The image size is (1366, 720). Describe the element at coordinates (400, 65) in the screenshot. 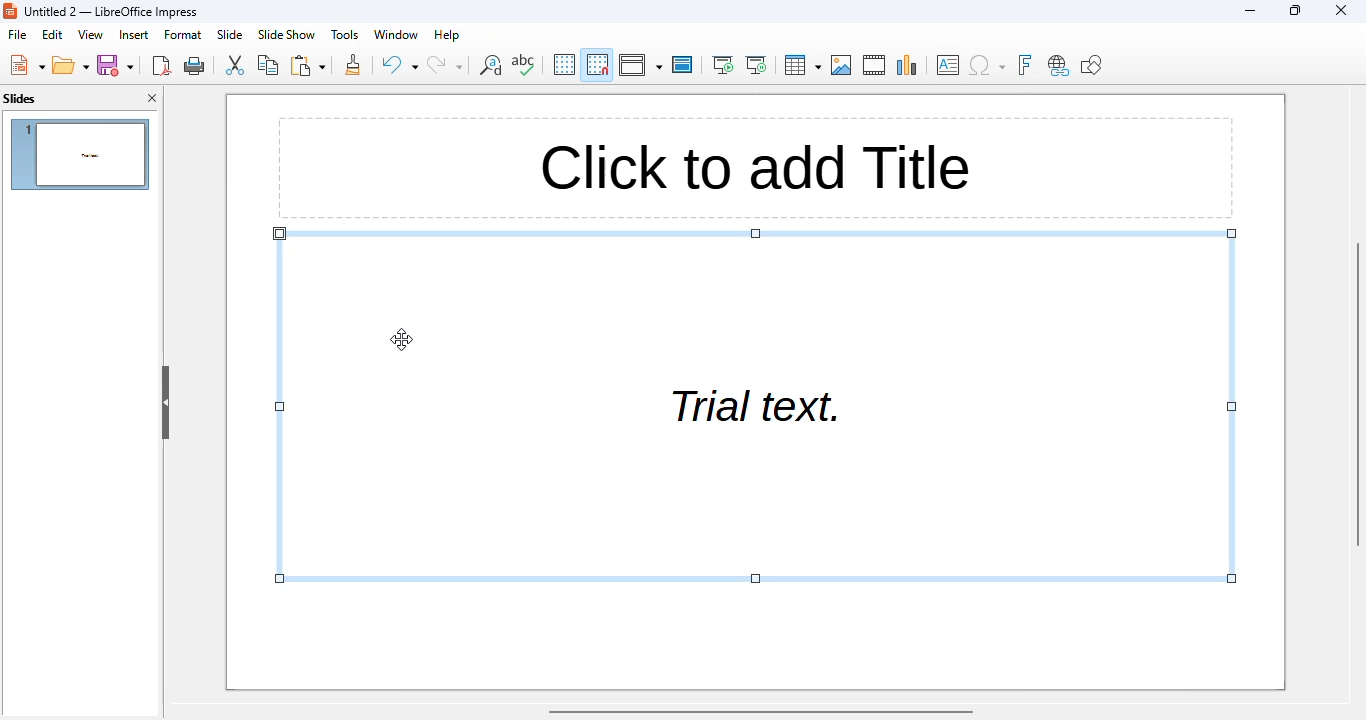

I see `undo` at that location.